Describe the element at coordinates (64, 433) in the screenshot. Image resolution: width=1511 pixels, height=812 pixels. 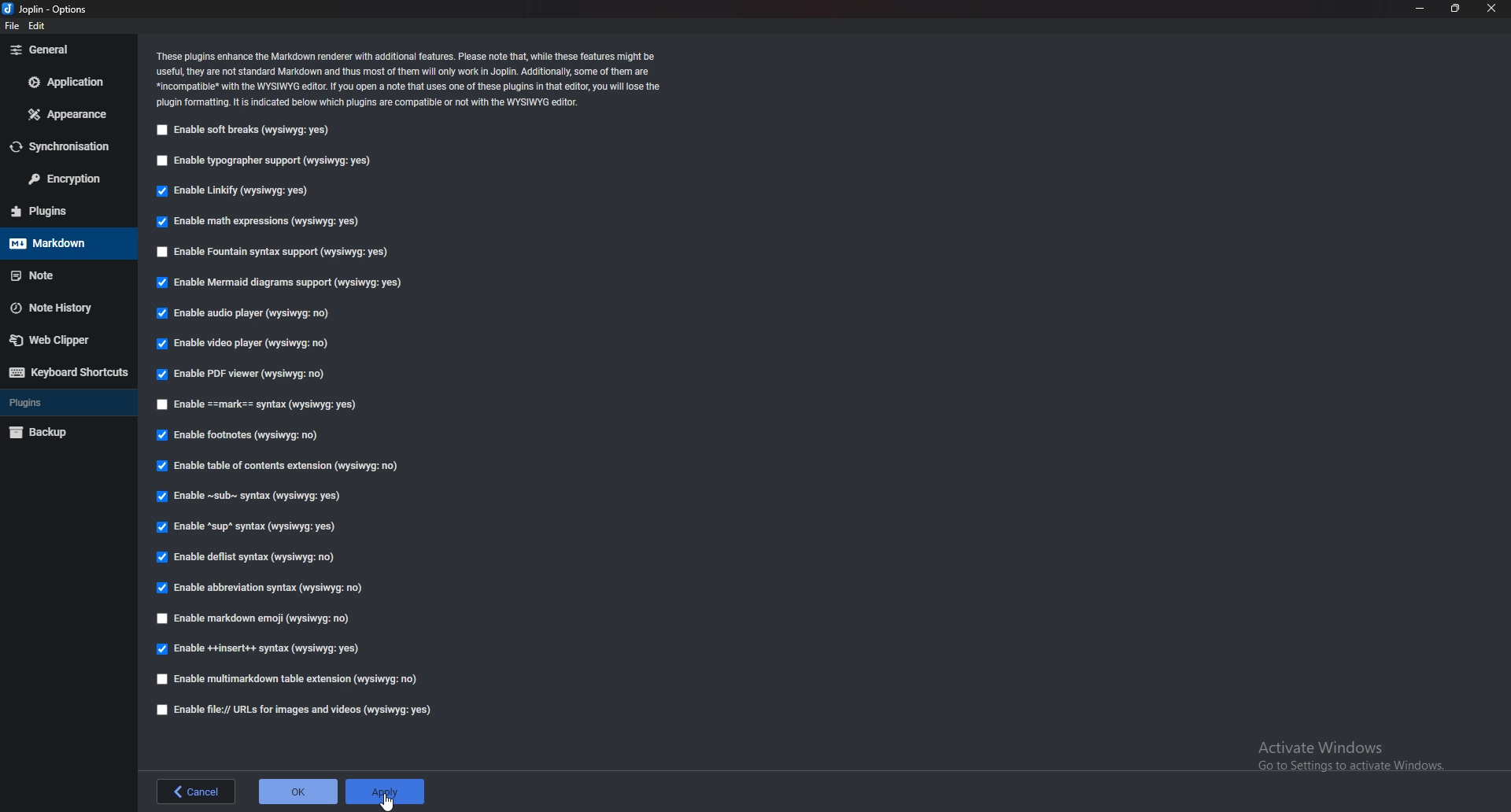
I see `backup` at that location.